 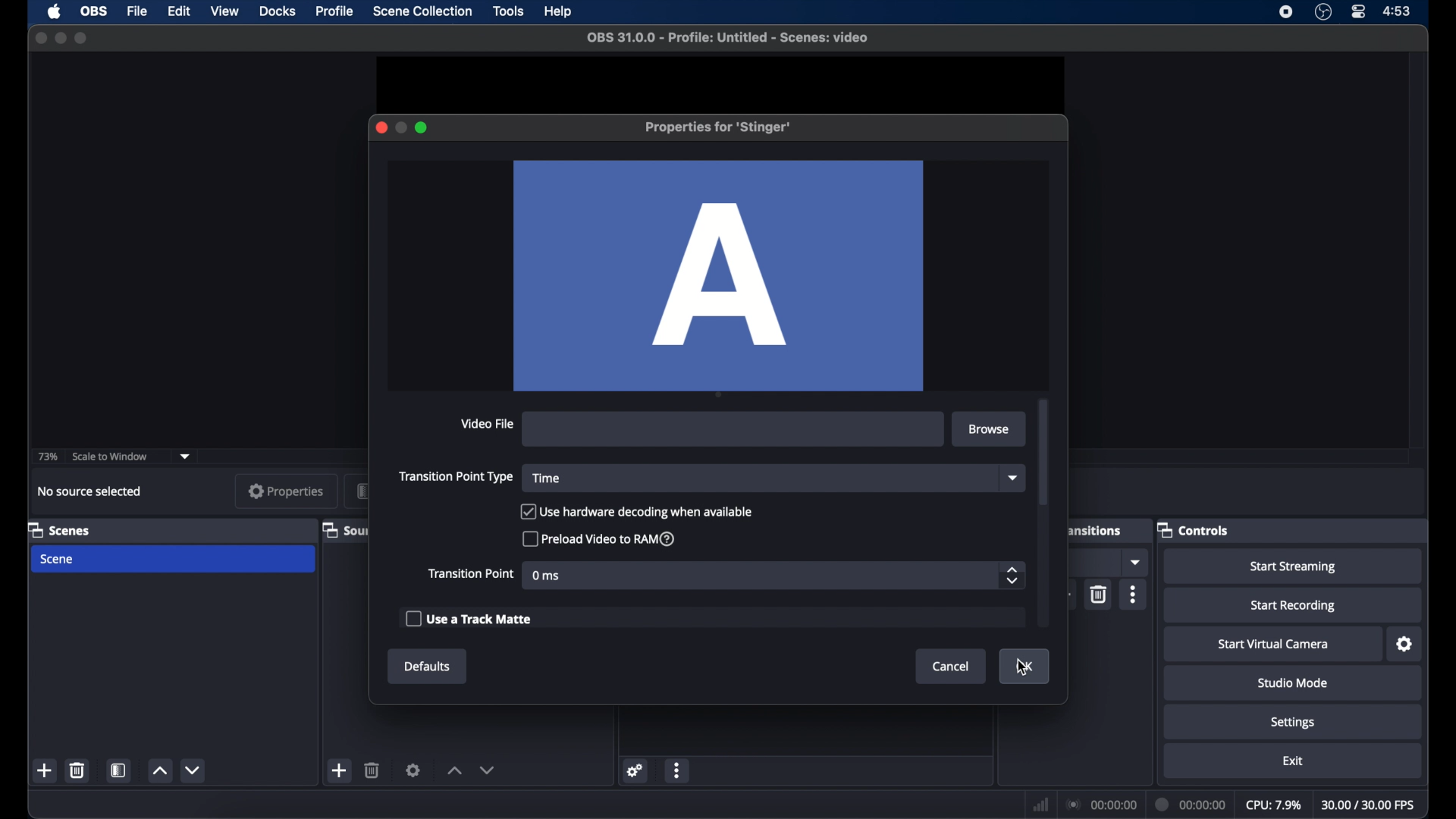 What do you see at coordinates (40, 38) in the screenshot?
I see `close` at bounding box center [40, 38].